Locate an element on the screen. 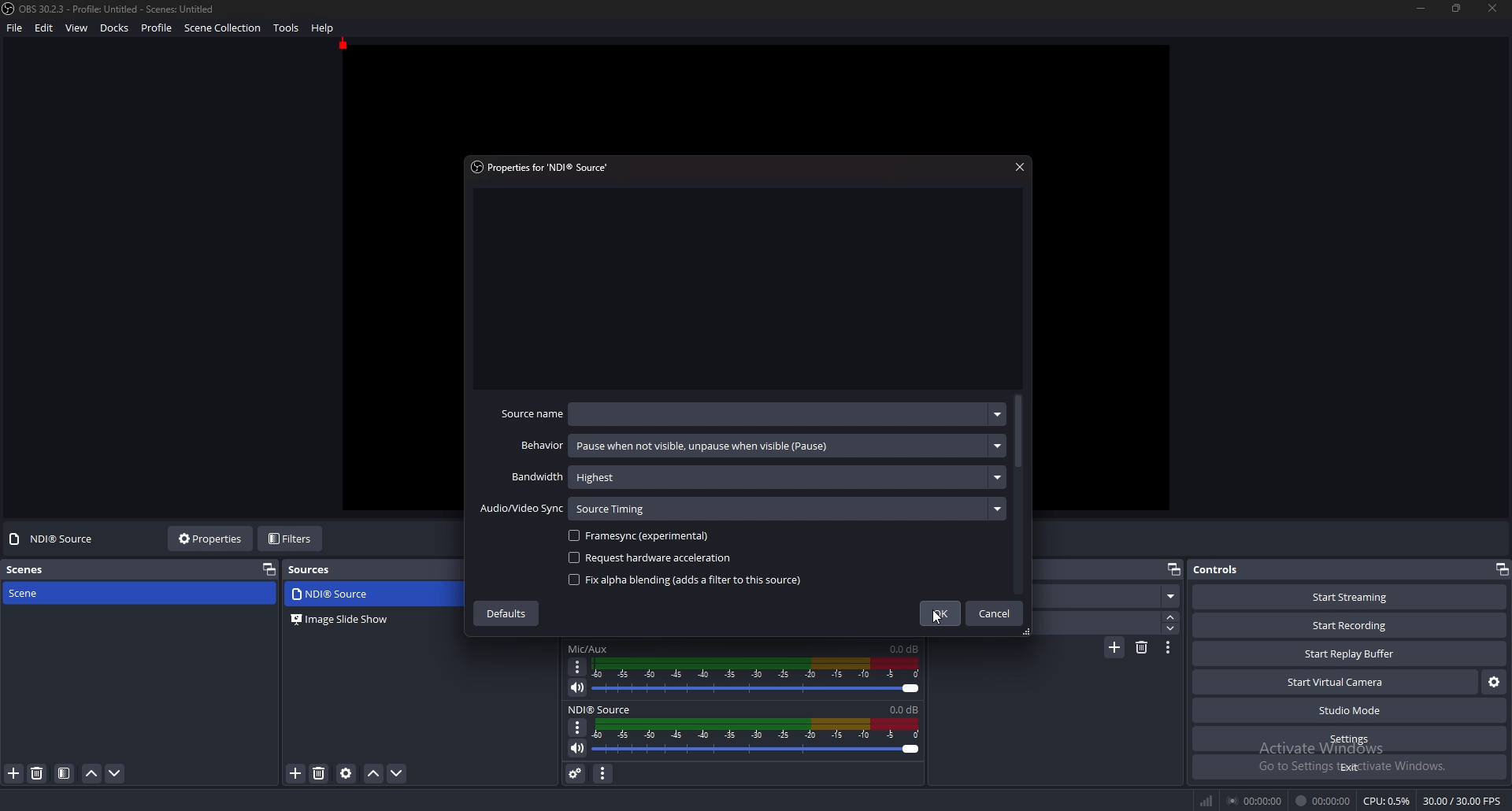 This screenshot has height=811, width=1512. recording duration is located at coordinates (1323, 801).